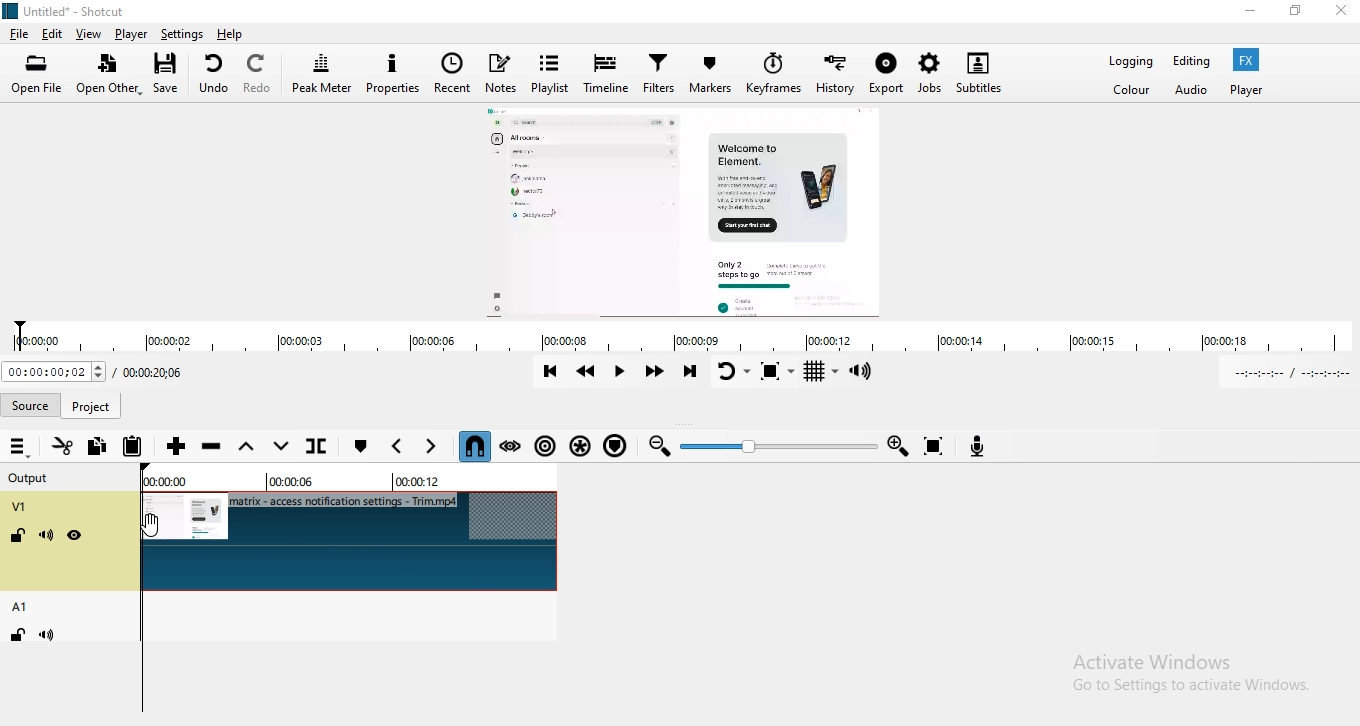 The height and width of the screenshot is (726, 1360). Describe the element at coordinates (1128, 61) in the screenshot. I see `Logging` at that location.